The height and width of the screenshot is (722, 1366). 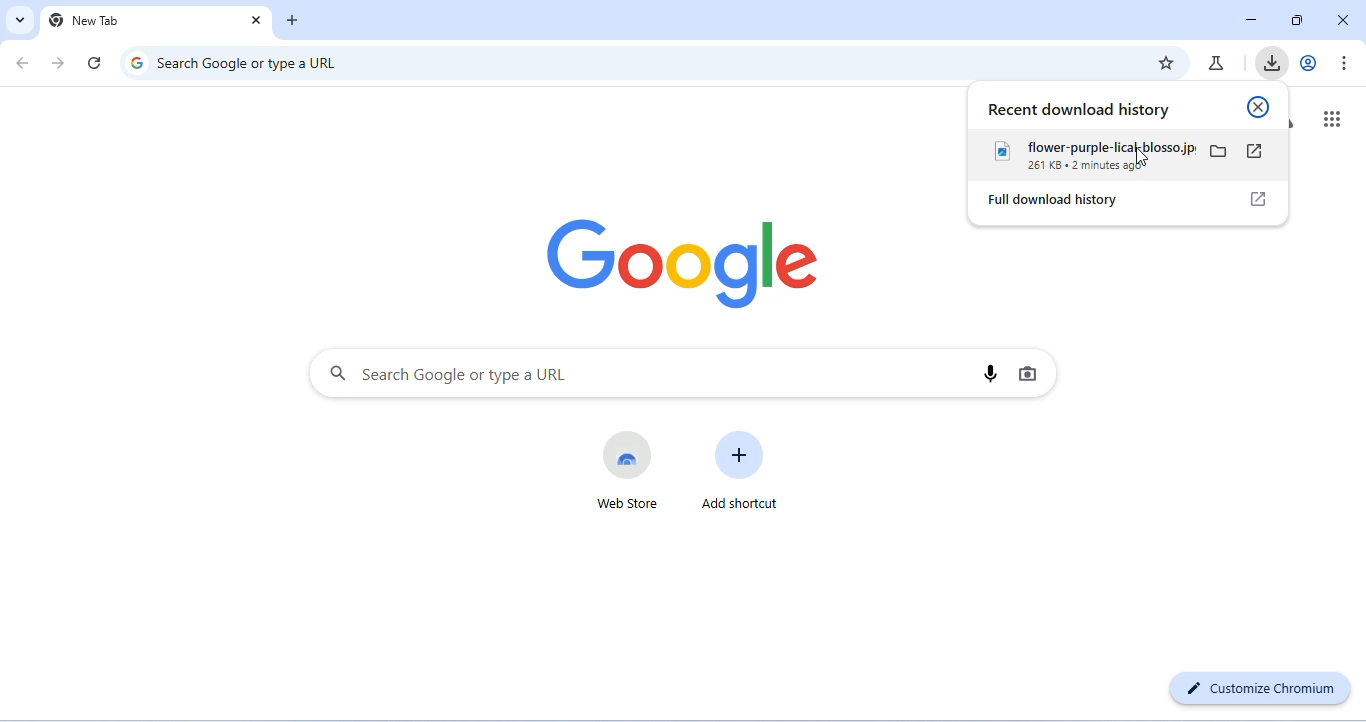 I want to click on show full download history in a new tab, so click(x=1257, y=199).